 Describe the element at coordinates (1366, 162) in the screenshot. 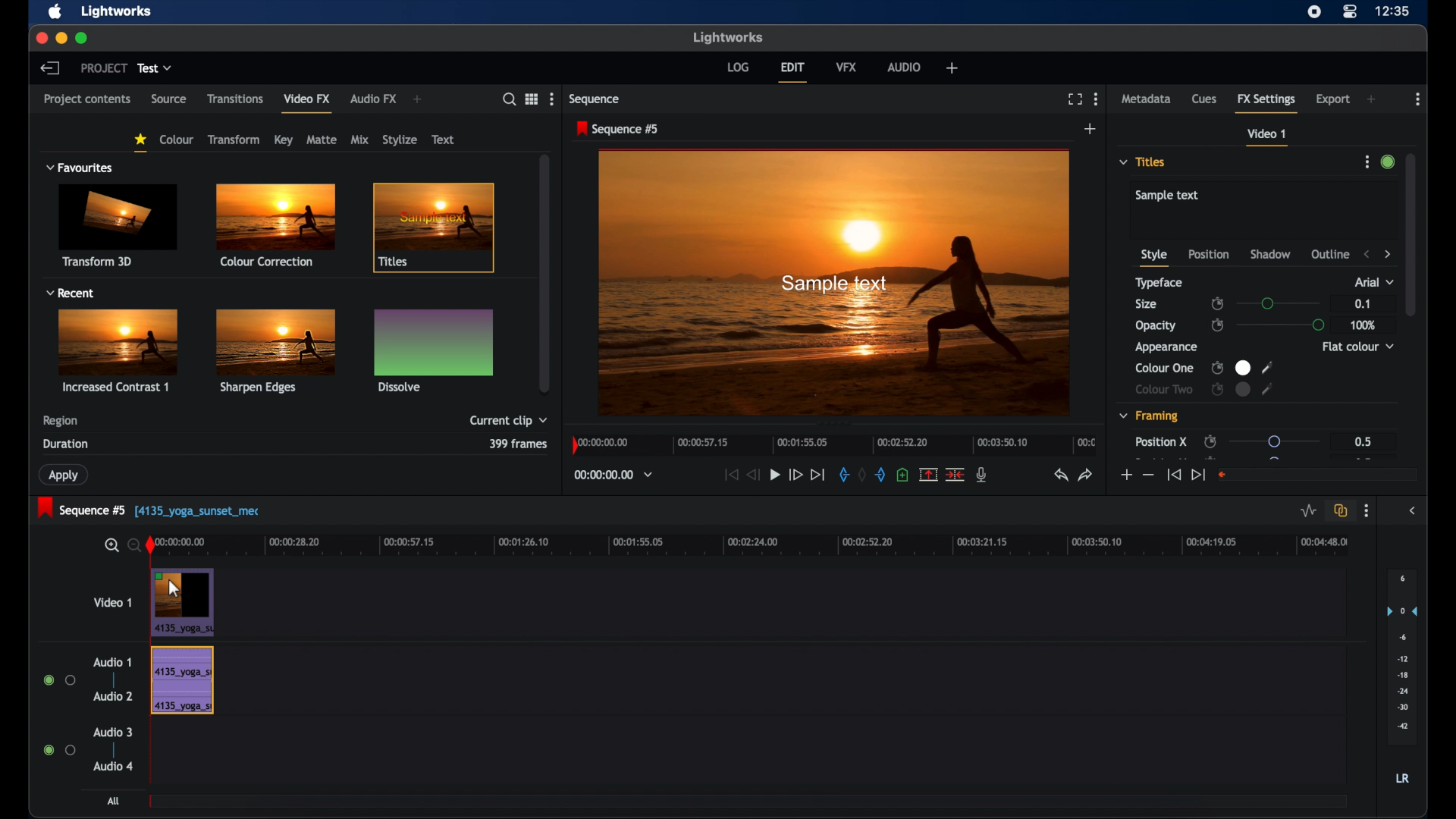

I see `more options` at that location.